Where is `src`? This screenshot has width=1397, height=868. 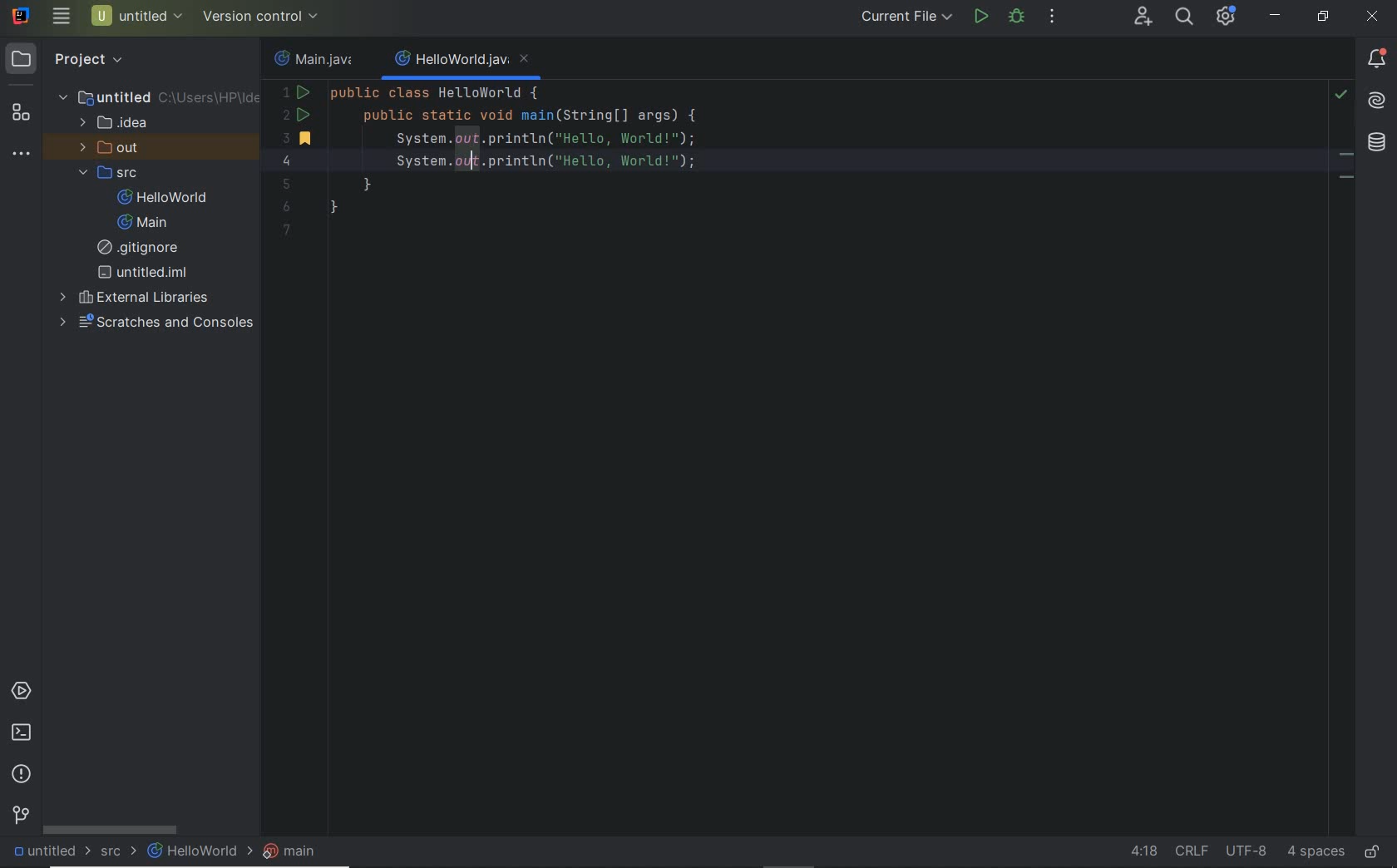
src is located at coordinates (120, 850).